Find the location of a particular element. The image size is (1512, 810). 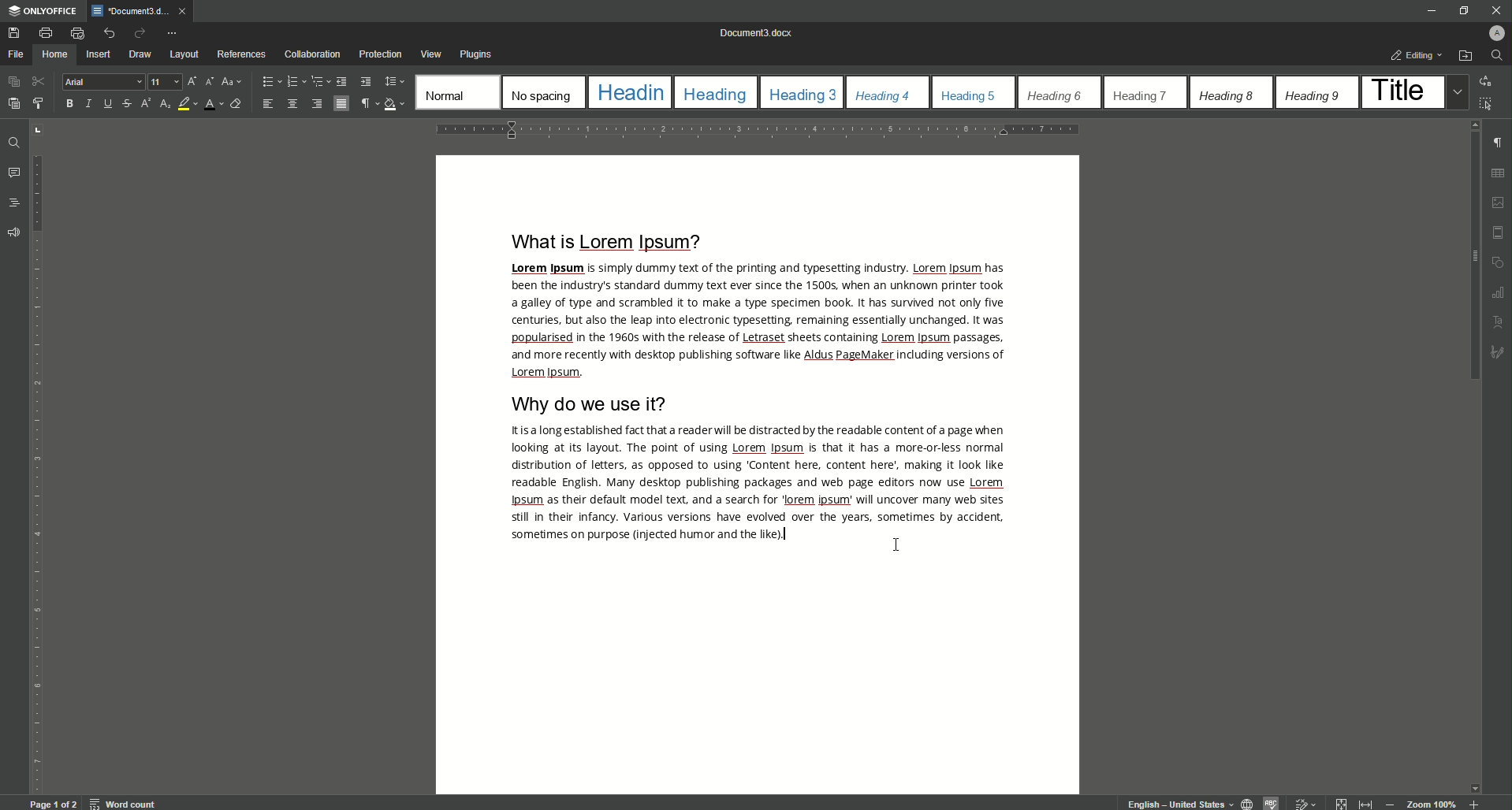

Heading 6 is located at coordinates (1055, 95).